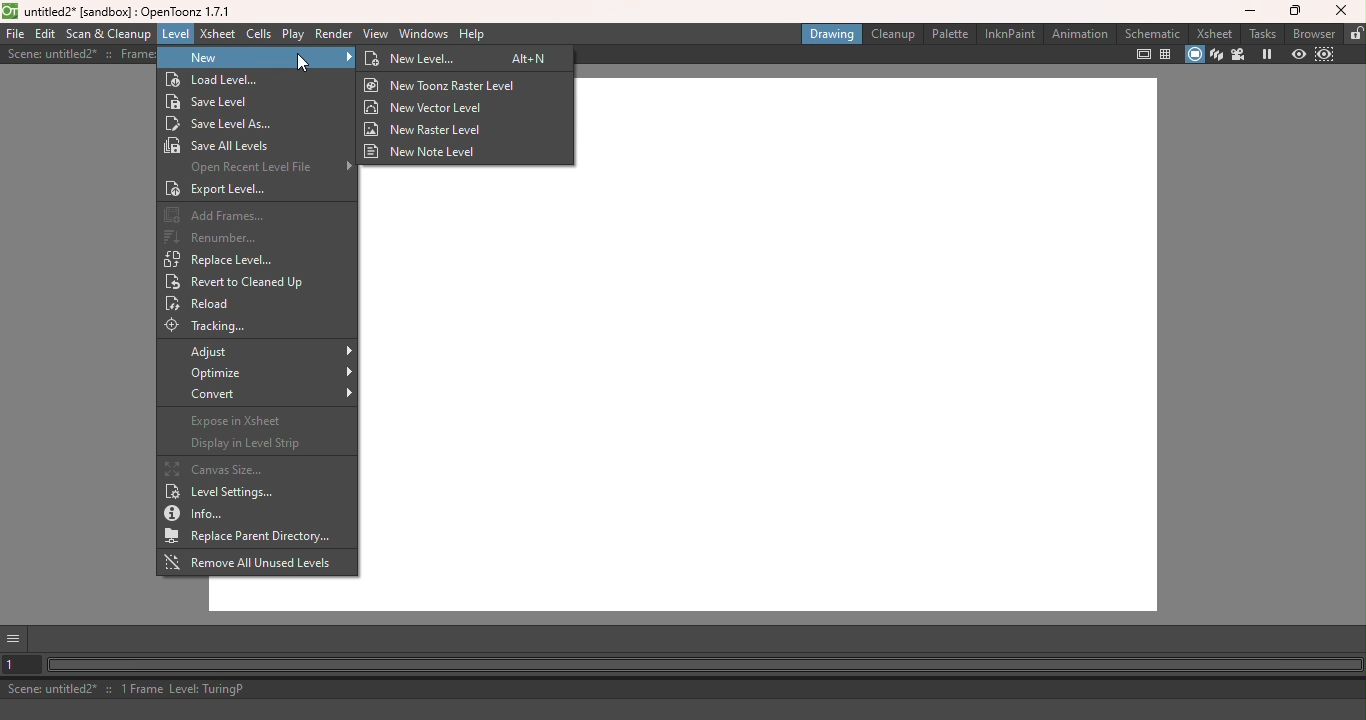 This screenshot has height=720, width=1366. I want to click on cursor, so click(306, 63).